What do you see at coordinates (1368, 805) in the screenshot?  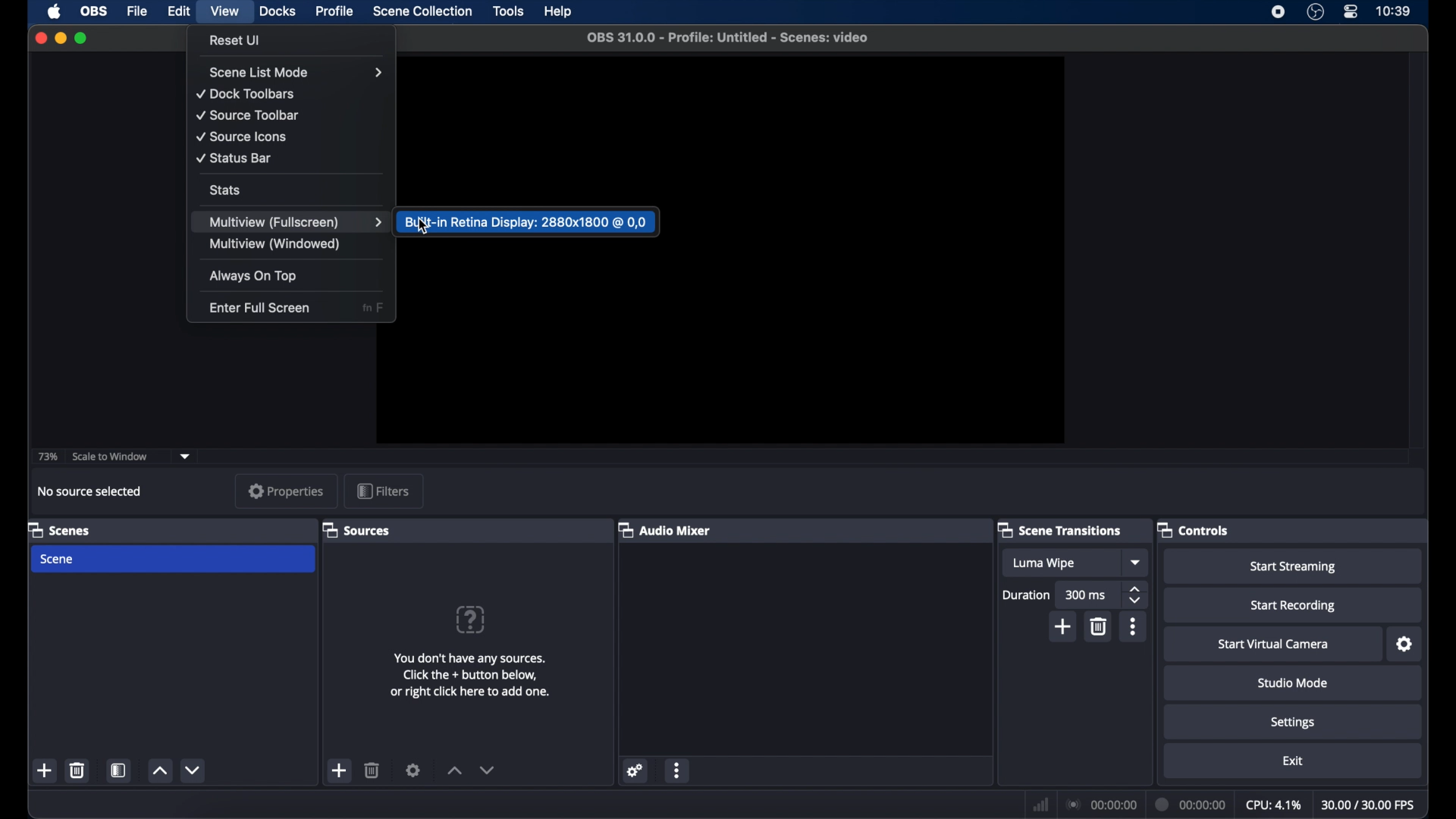 I see `30.00/30.00 fps` at bounding box center [1368, 805].